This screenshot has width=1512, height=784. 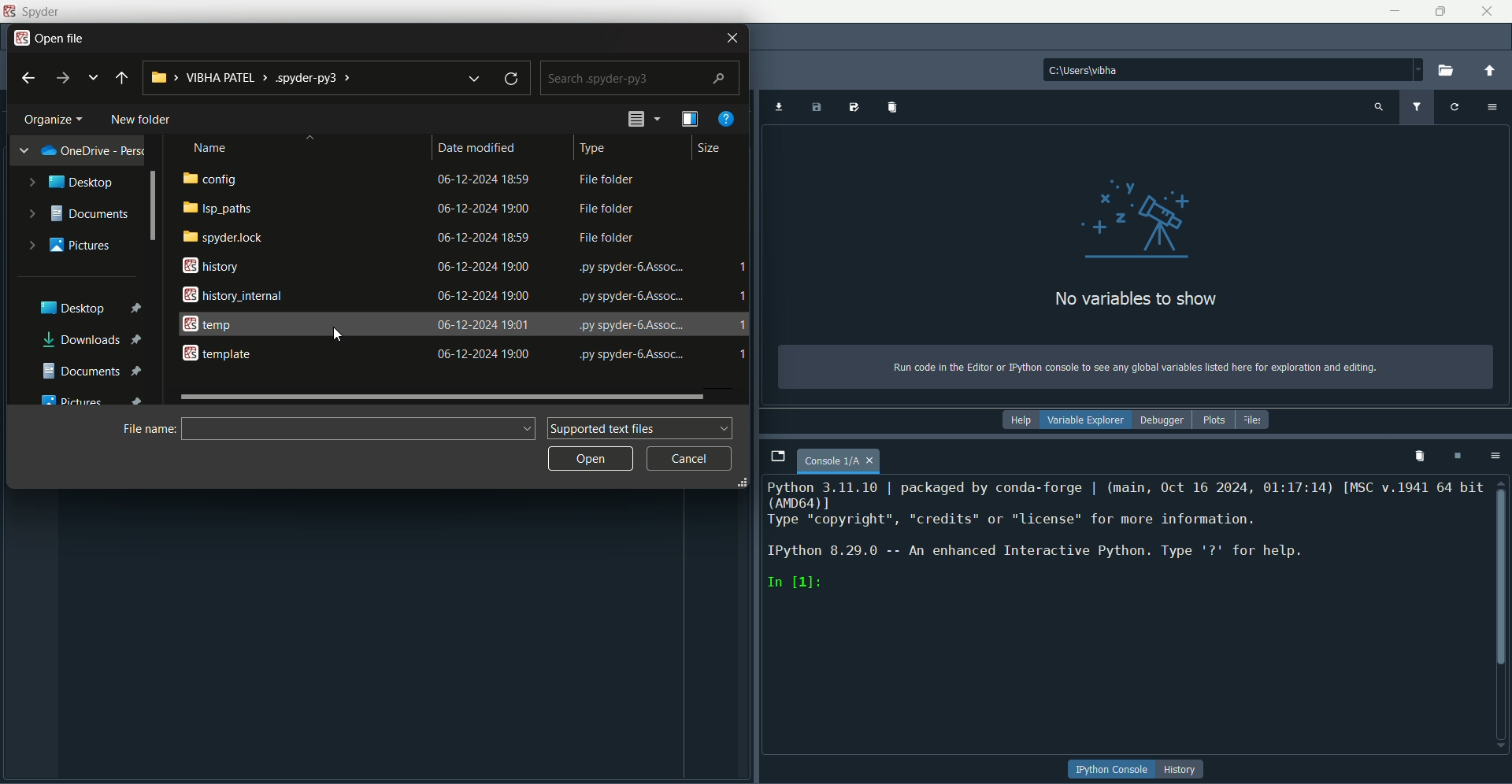 What do you see at coordinates (1214, 421) in the screenshot?
I see `plots` at bounding box center [1214, 421].